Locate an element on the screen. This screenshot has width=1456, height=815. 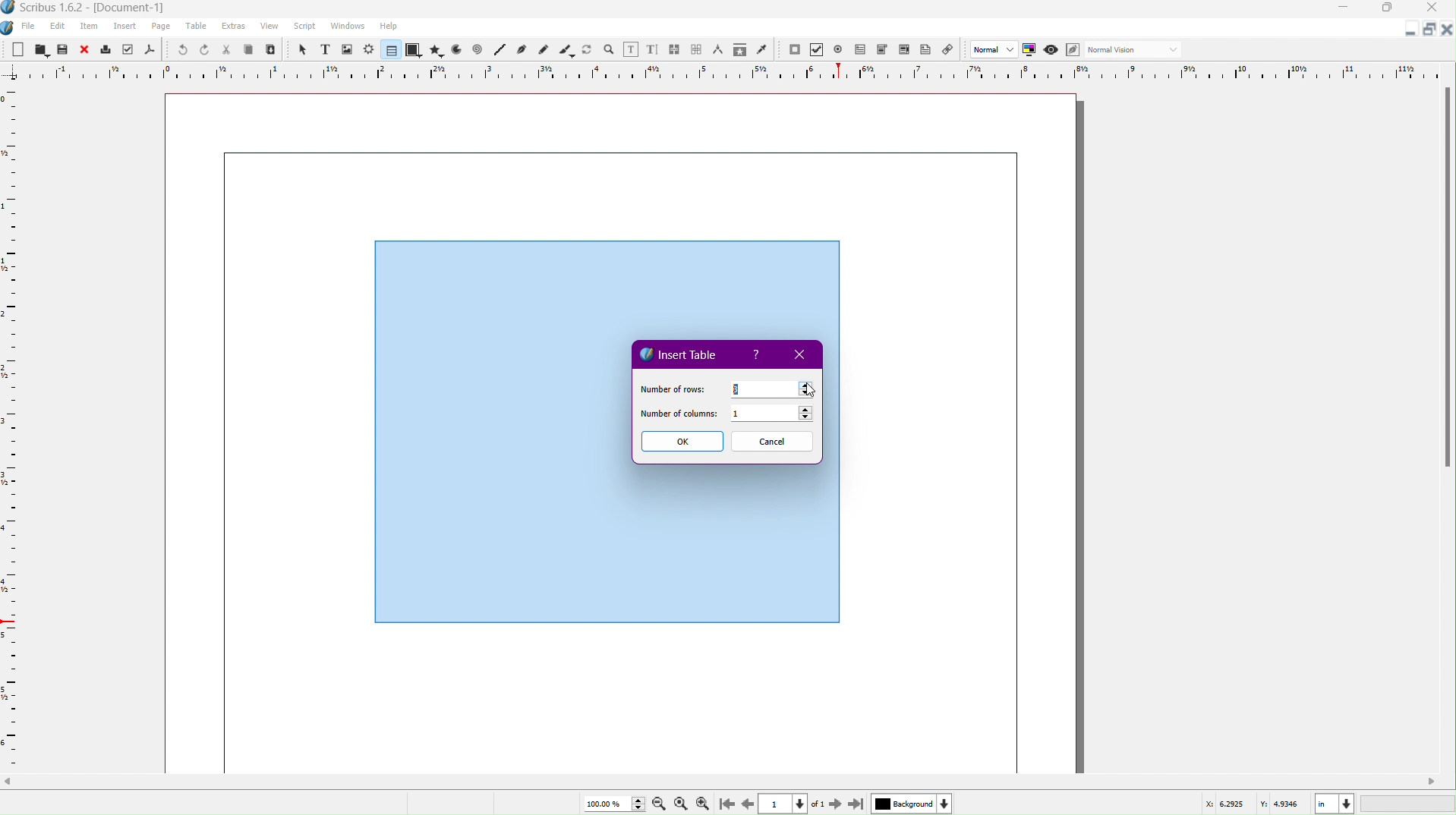
Insert Table is located at coordinates (680, 353).